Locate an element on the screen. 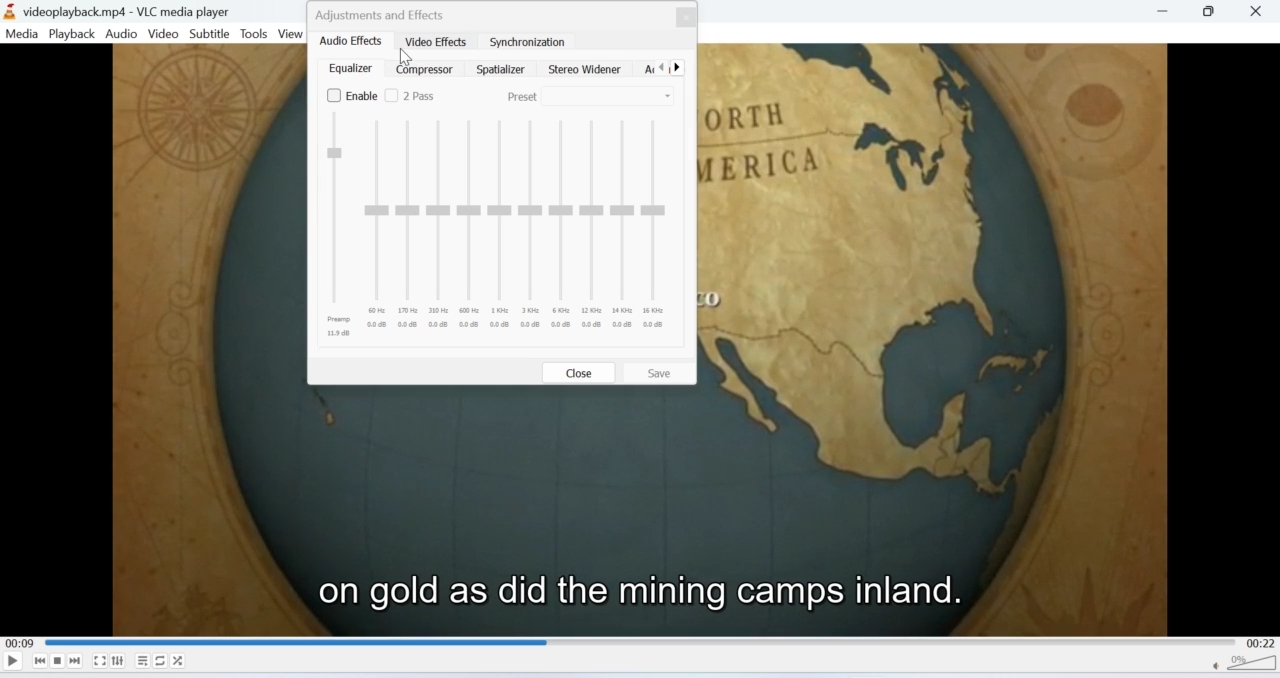 The image size is (1280, 678). Subtitle is located at coordinates (210, 33).